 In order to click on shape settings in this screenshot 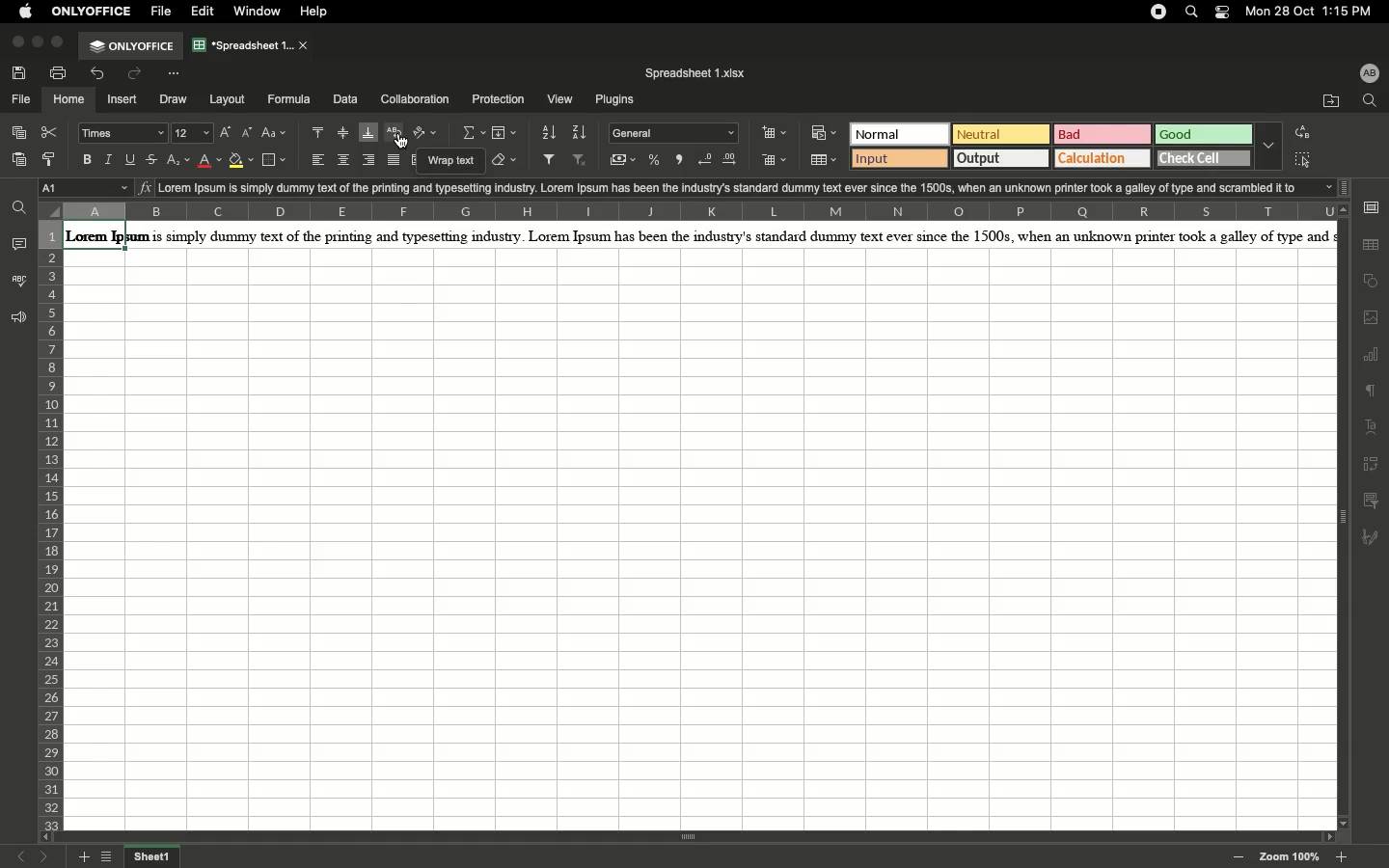, I will do `click(1371, 283)`.